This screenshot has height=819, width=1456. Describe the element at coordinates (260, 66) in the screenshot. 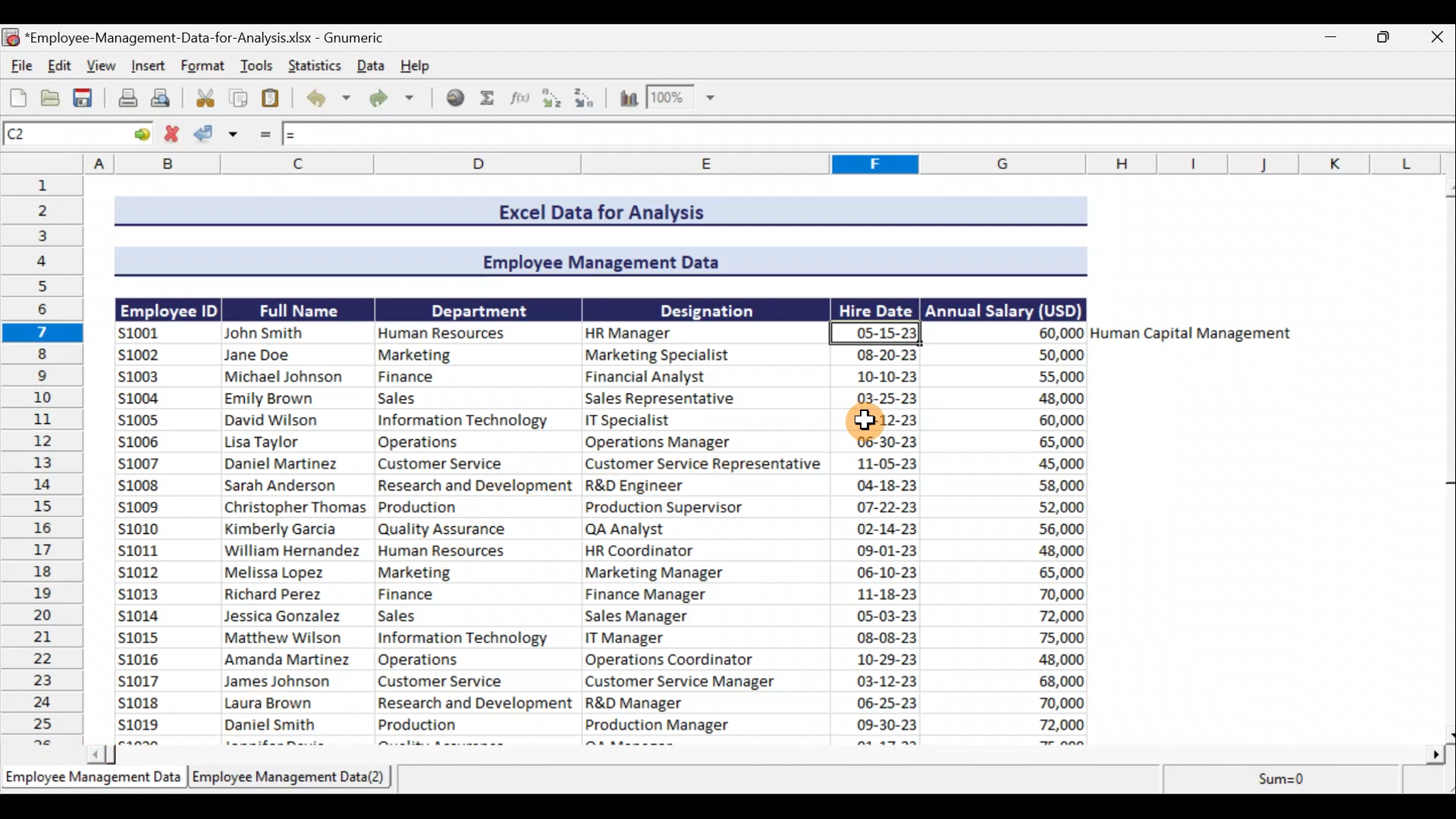

I see `Tools` at that location.